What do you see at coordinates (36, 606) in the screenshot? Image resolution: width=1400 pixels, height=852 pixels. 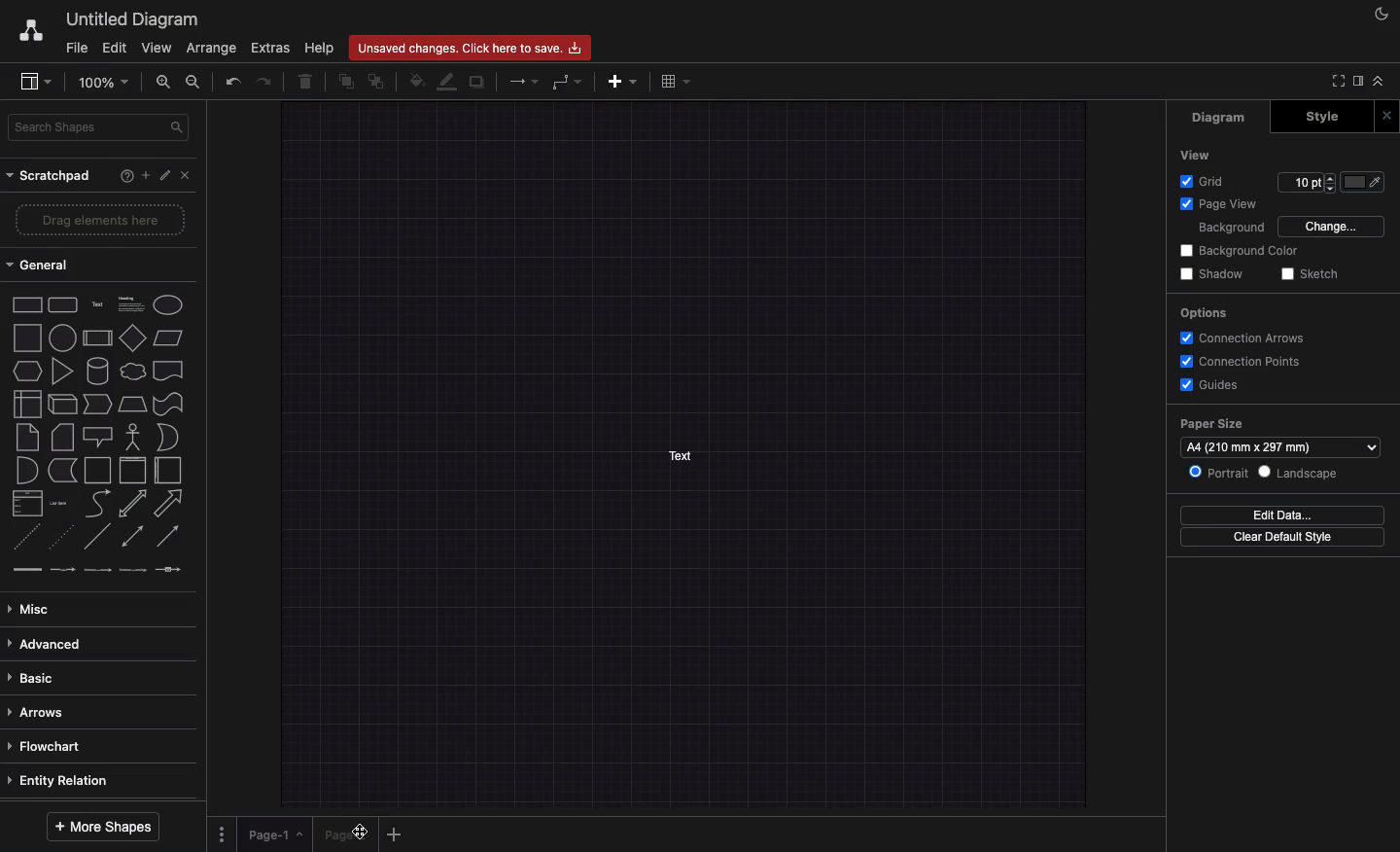 I see `Mis` at bounding box center [36, 606].